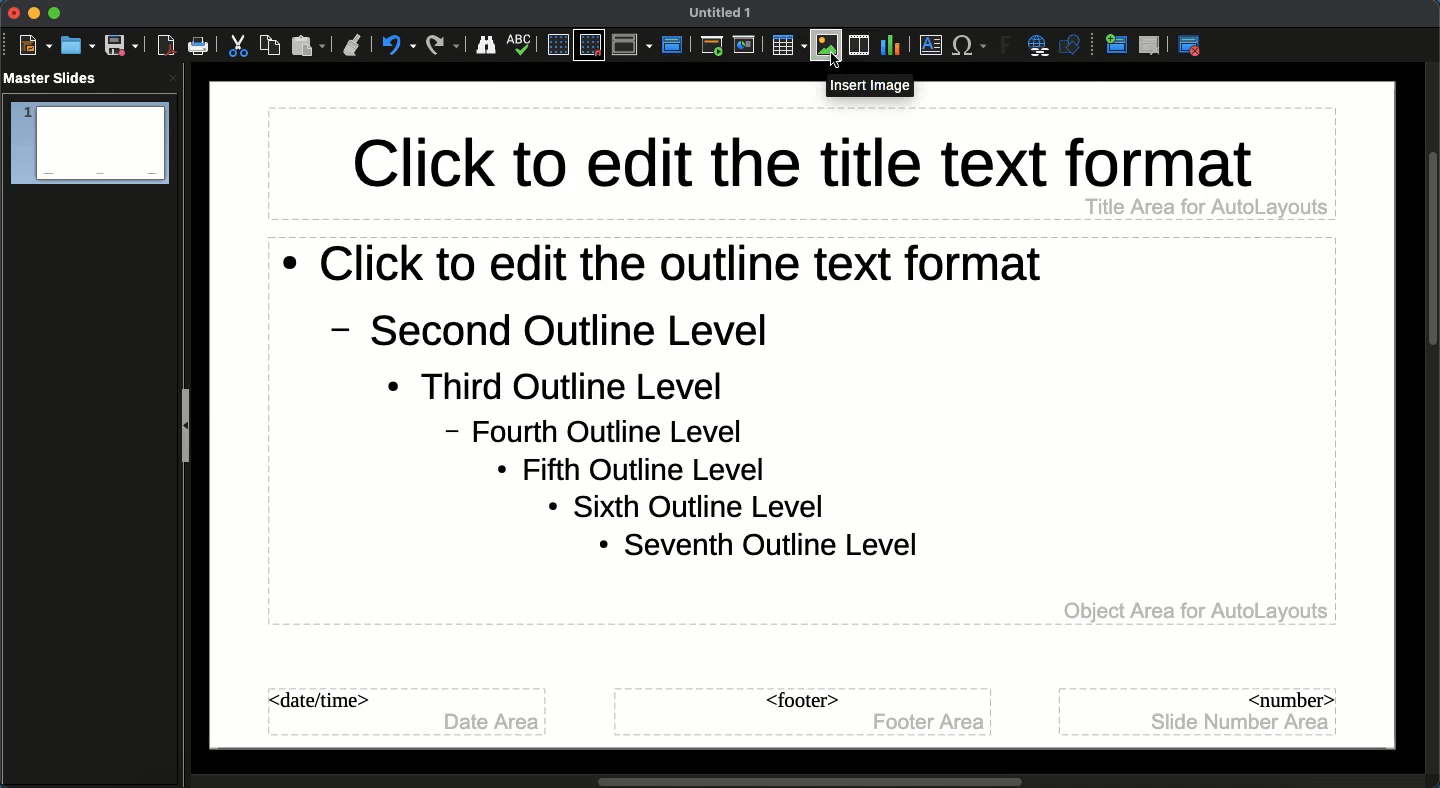 The height and width of the screenshot is (788, 1440). I want to click on Slide panel, so click(186, 427).